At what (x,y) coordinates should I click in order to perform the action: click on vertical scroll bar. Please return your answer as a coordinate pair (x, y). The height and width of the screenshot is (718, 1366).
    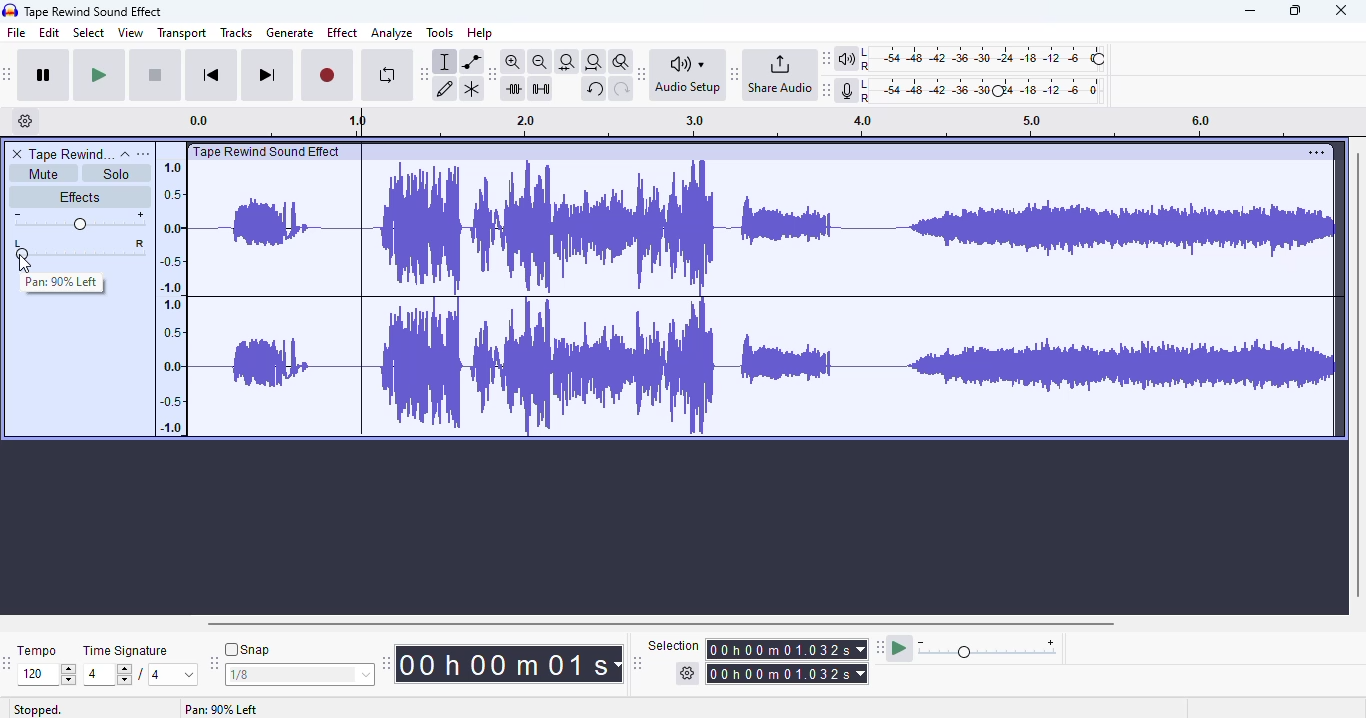
    Looking at the image, I should click on (1357, 374).